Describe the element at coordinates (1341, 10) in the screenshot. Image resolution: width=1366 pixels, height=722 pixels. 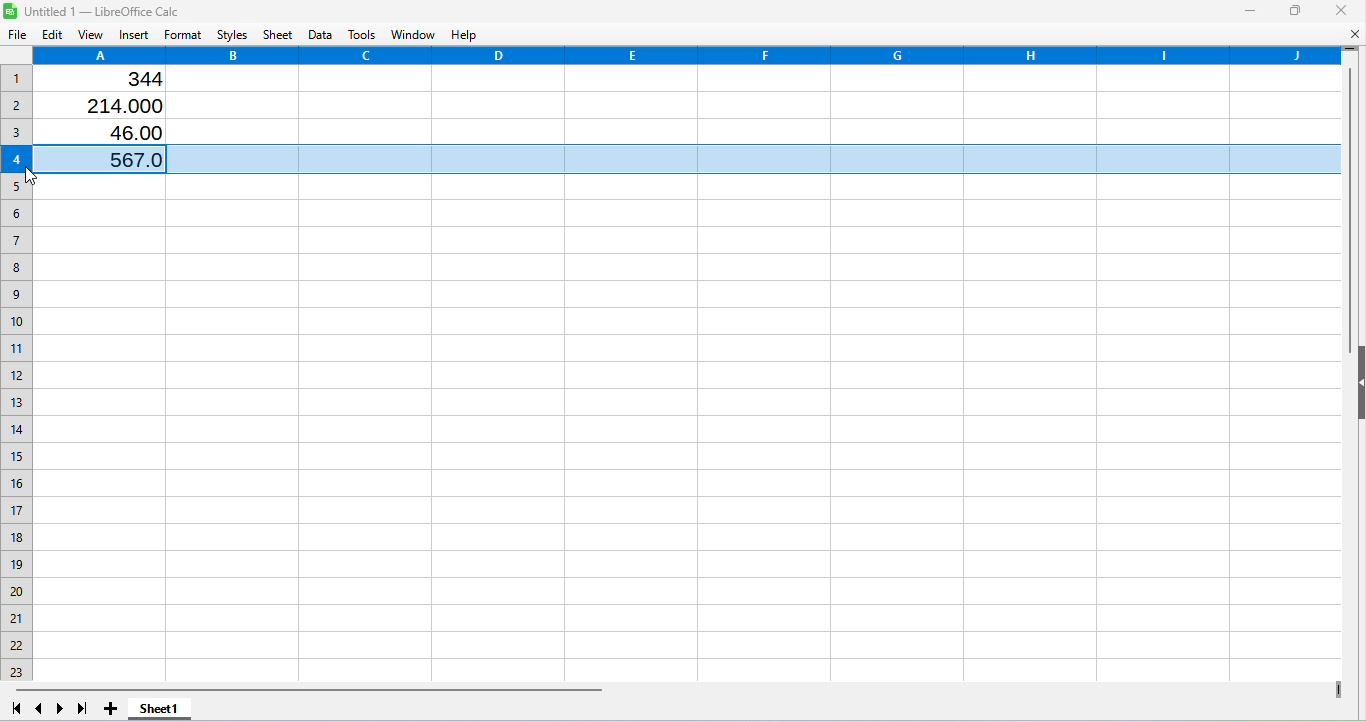
I see `Close` at that location.